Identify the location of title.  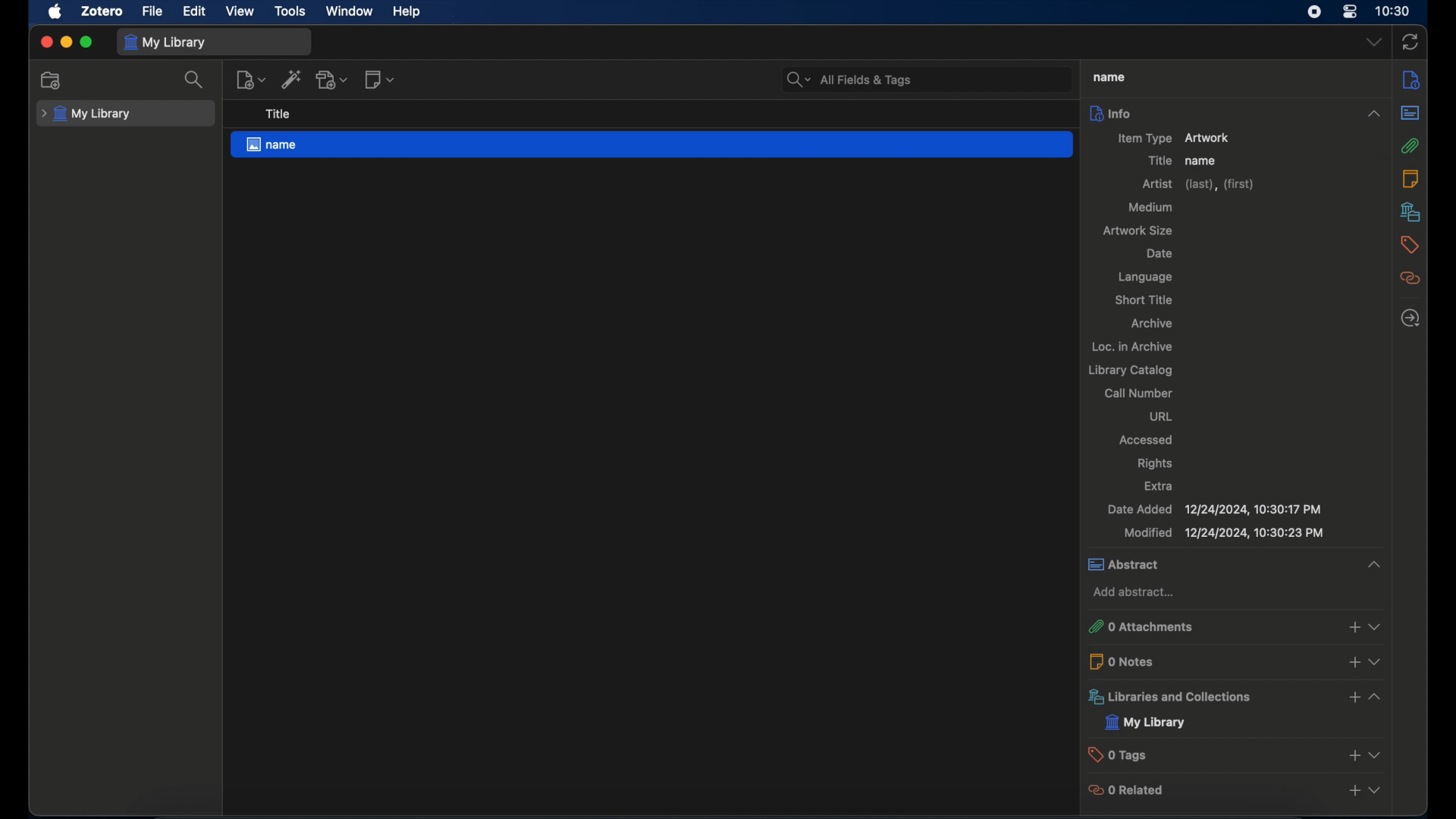
(1159, 161).